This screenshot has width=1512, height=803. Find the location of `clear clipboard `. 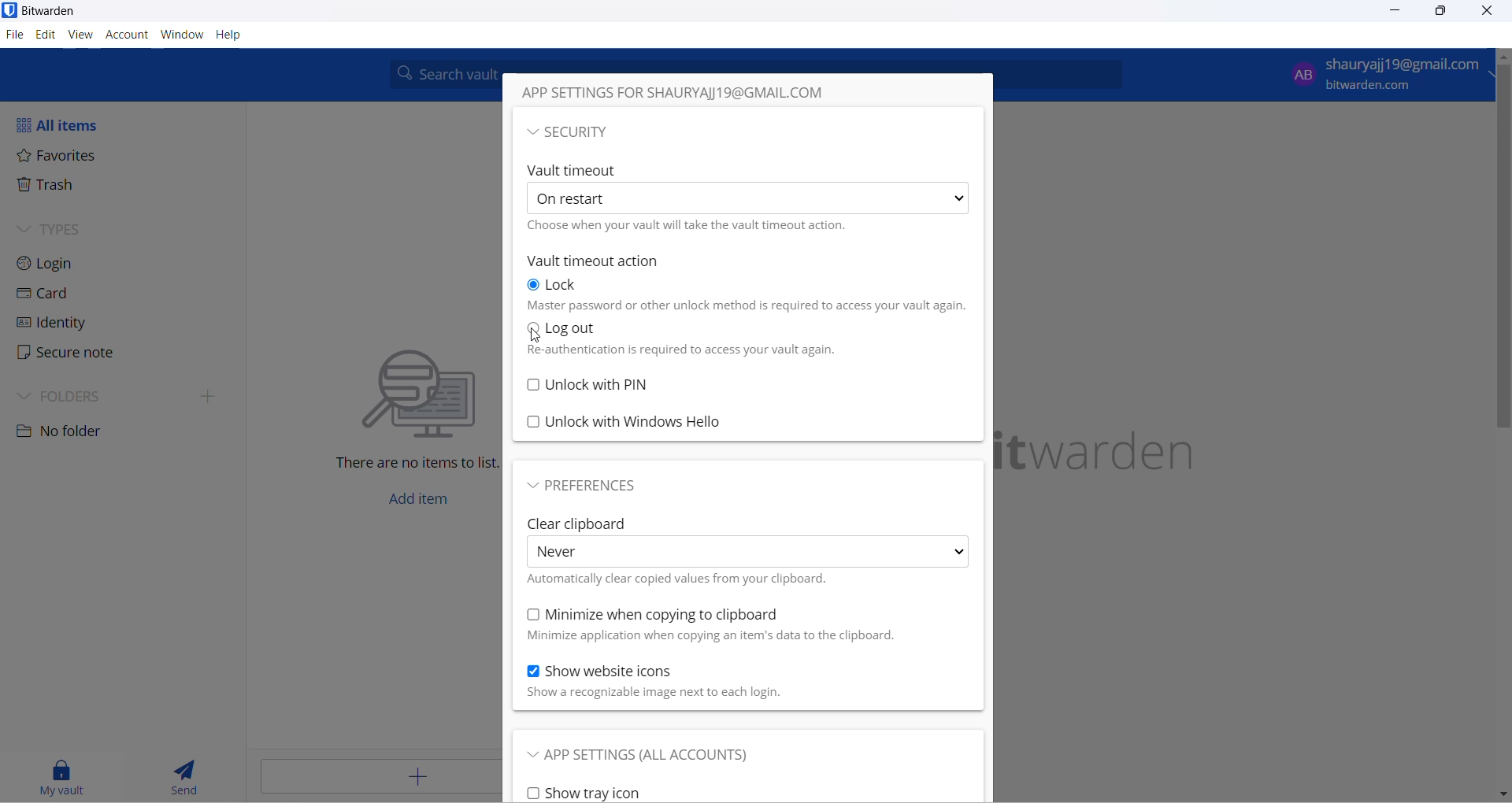

clear clipboard  is located at coordinates (576, 522).